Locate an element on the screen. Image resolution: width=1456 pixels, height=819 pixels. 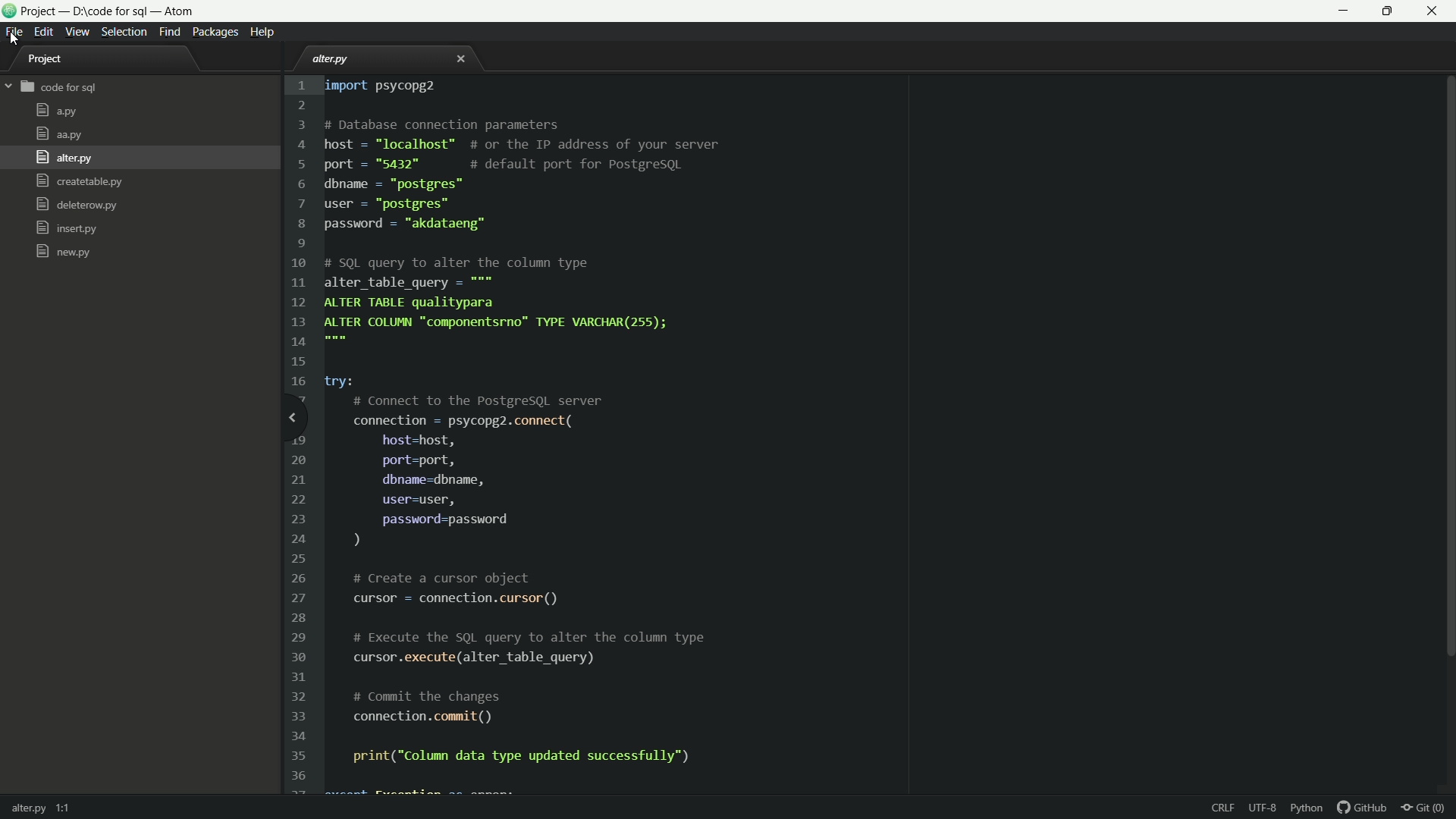
a.py file is located at coordinates (56, 111).